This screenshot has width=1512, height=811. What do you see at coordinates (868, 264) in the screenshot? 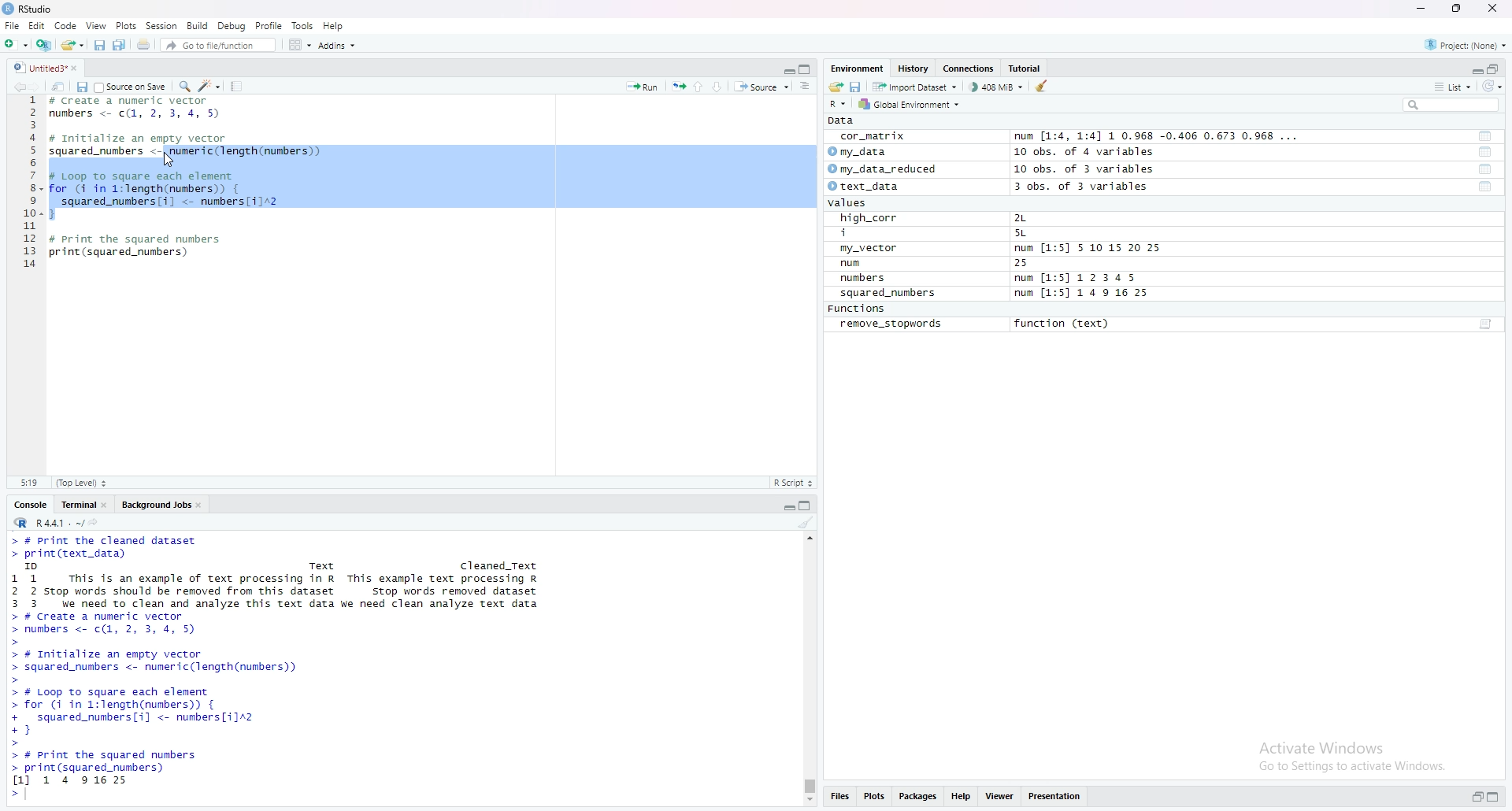
I see `num` at bounding box center [868, 264].